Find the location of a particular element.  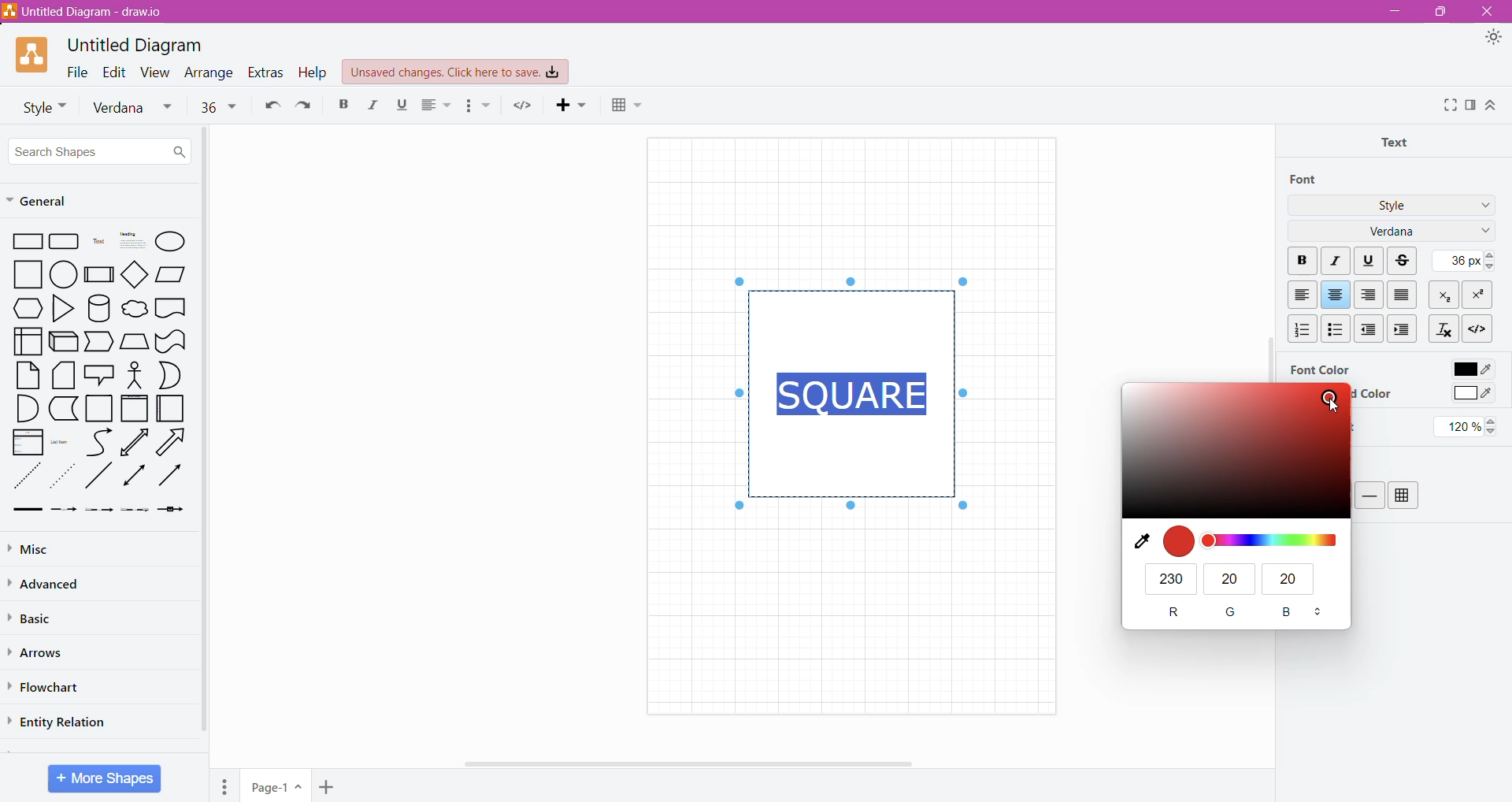

Expand/Collapse is located at coordinates (1491, 105).